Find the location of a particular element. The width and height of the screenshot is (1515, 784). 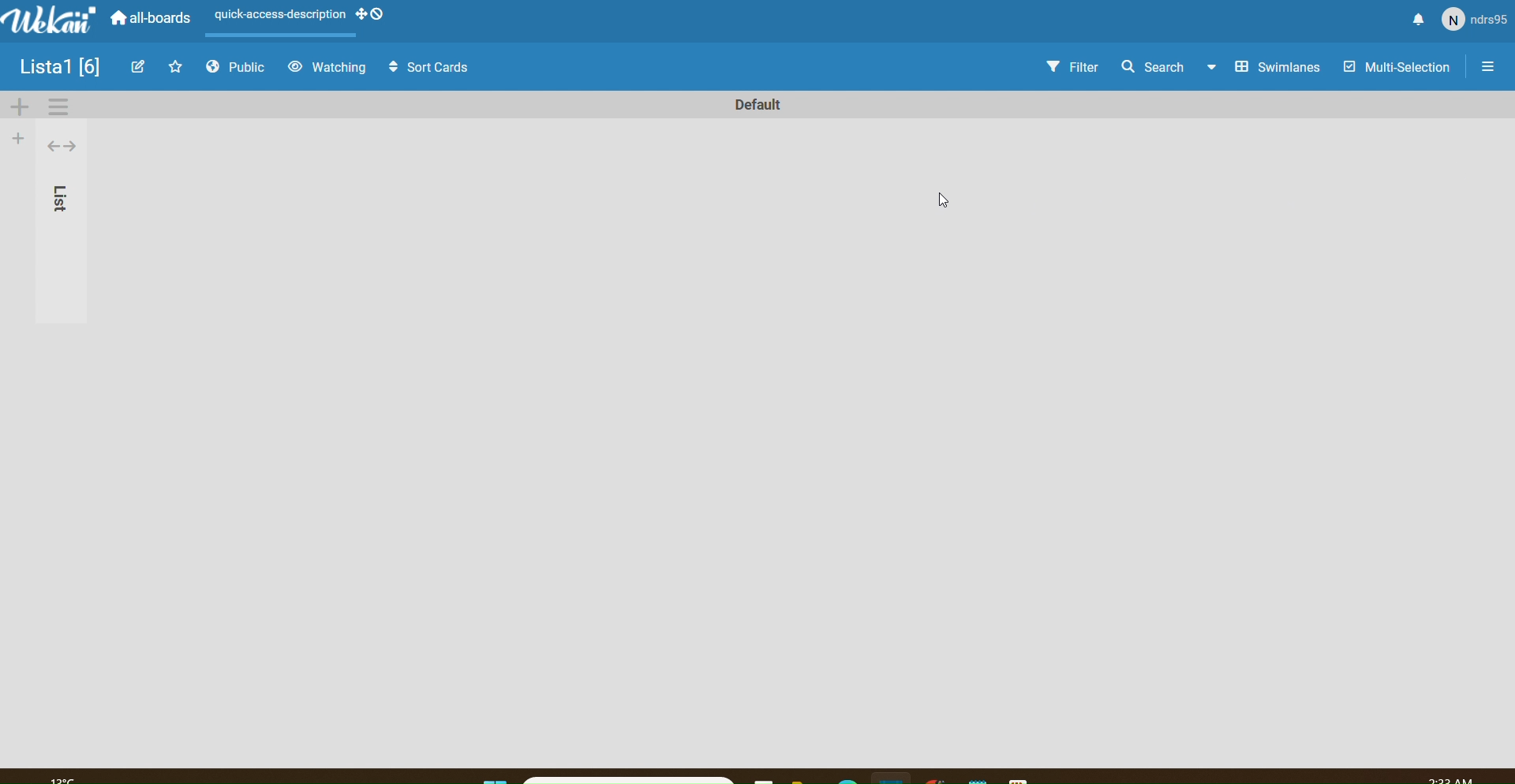

Settings is located at coordinates (1493, 71).